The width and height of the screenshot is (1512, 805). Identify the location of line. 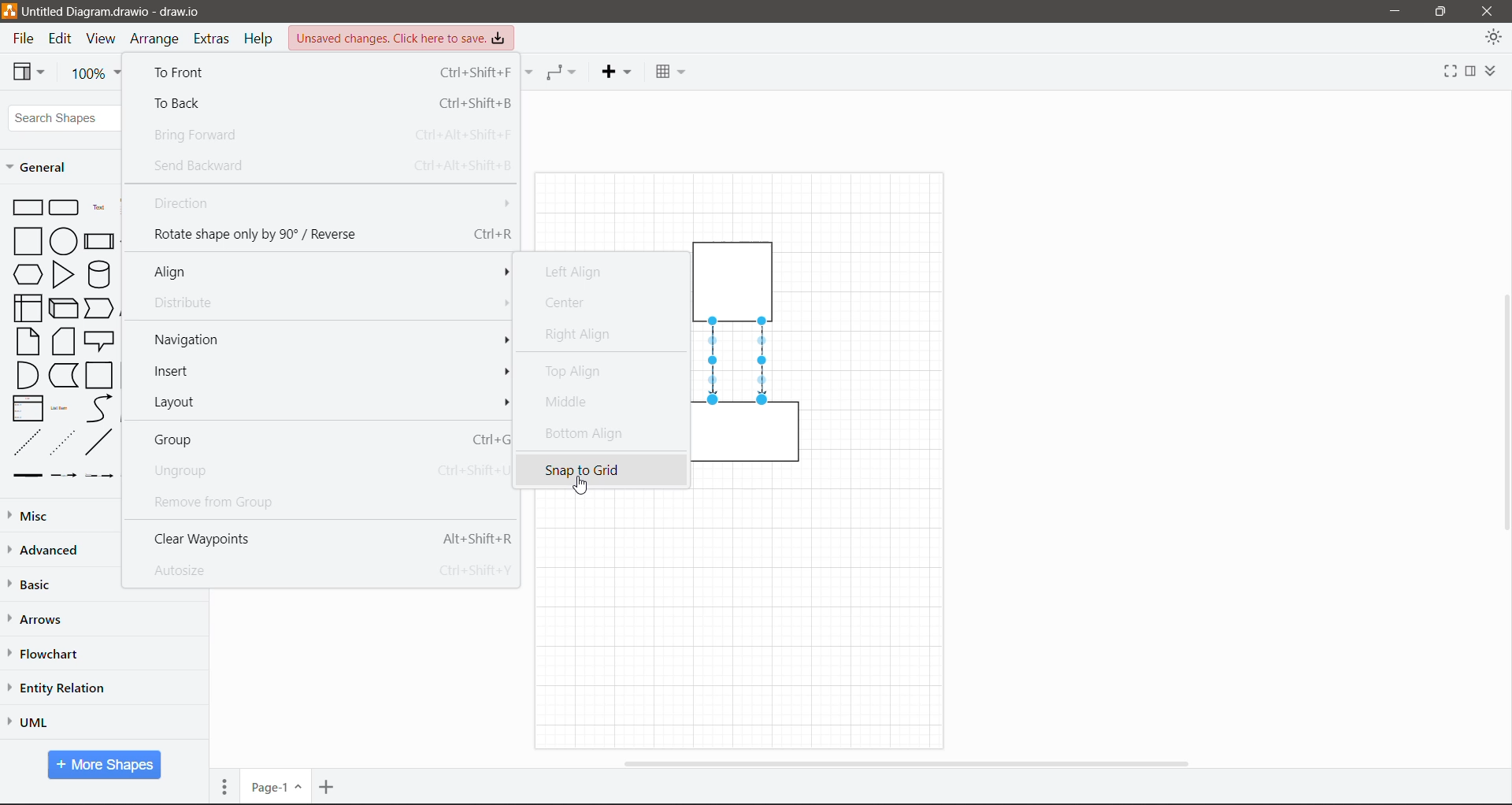
(99, 442).